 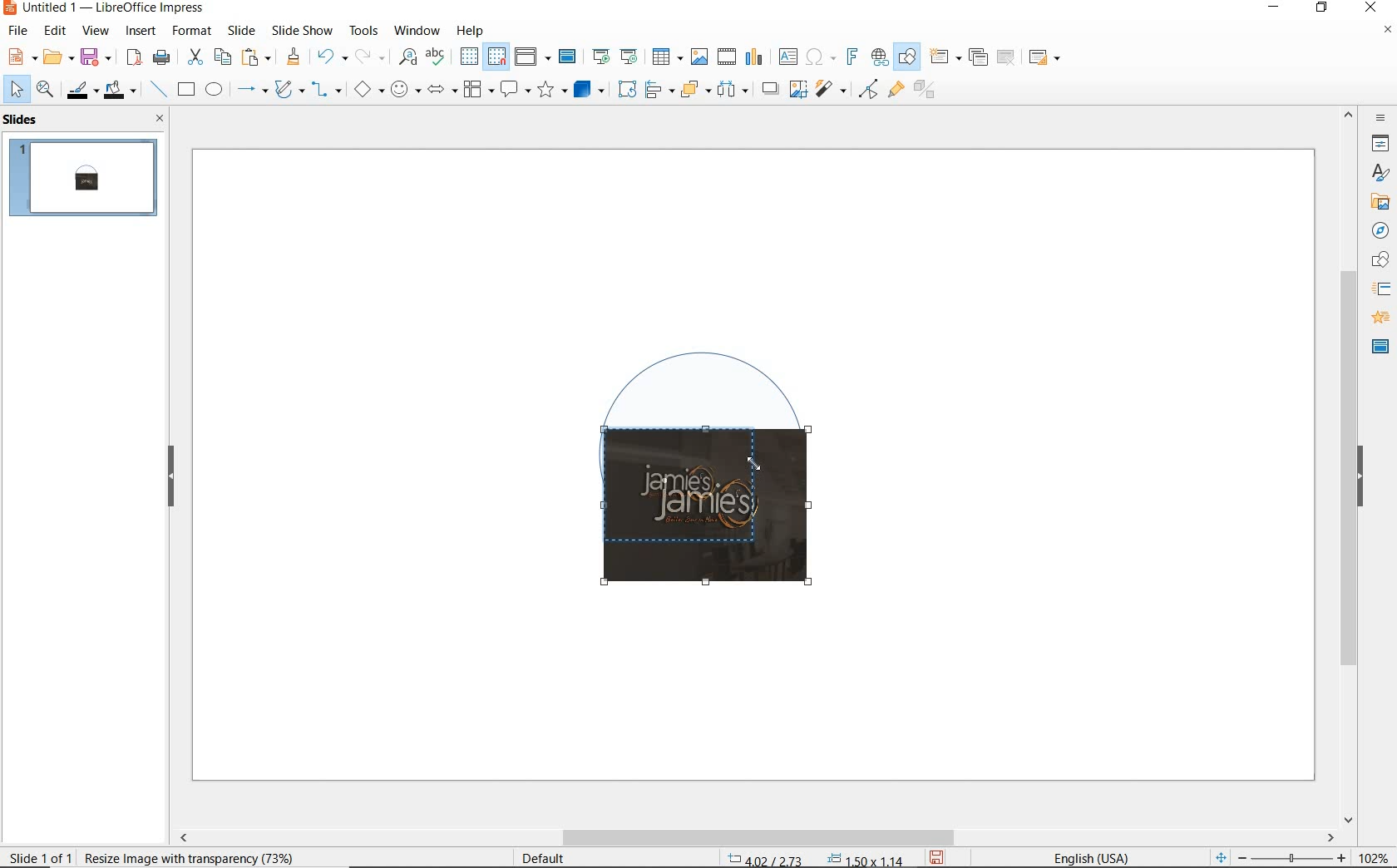 I want to click on callout shapes, so click(x=512, y=91).